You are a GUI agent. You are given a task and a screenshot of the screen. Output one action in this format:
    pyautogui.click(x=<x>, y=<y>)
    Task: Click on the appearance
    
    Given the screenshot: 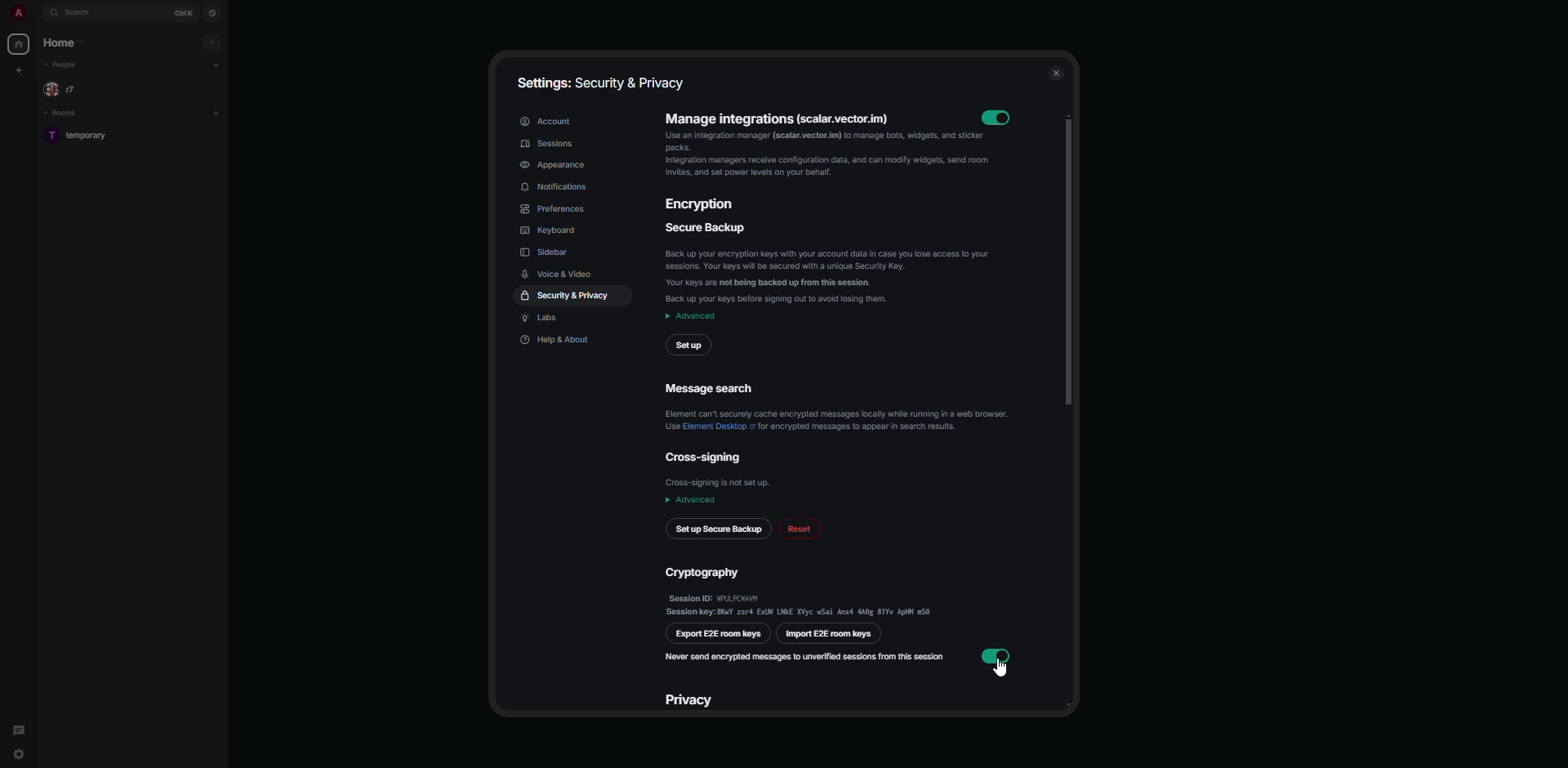 What is the action you would take?
    pyautogui.click(x=556, y=166)
    